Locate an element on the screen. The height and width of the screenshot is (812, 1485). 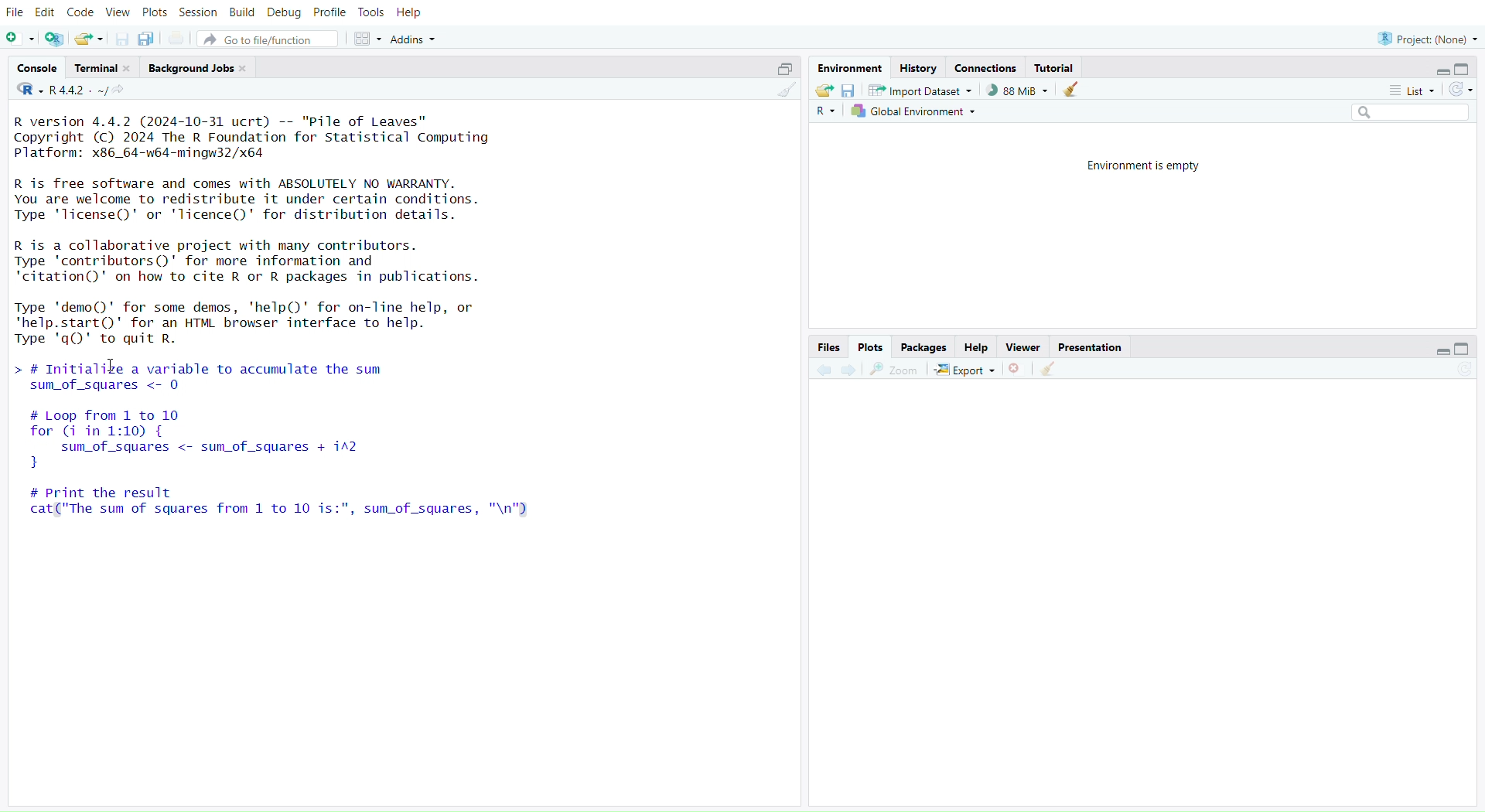
sum_of_squares <- 0 is located at coordinates (118, 387).